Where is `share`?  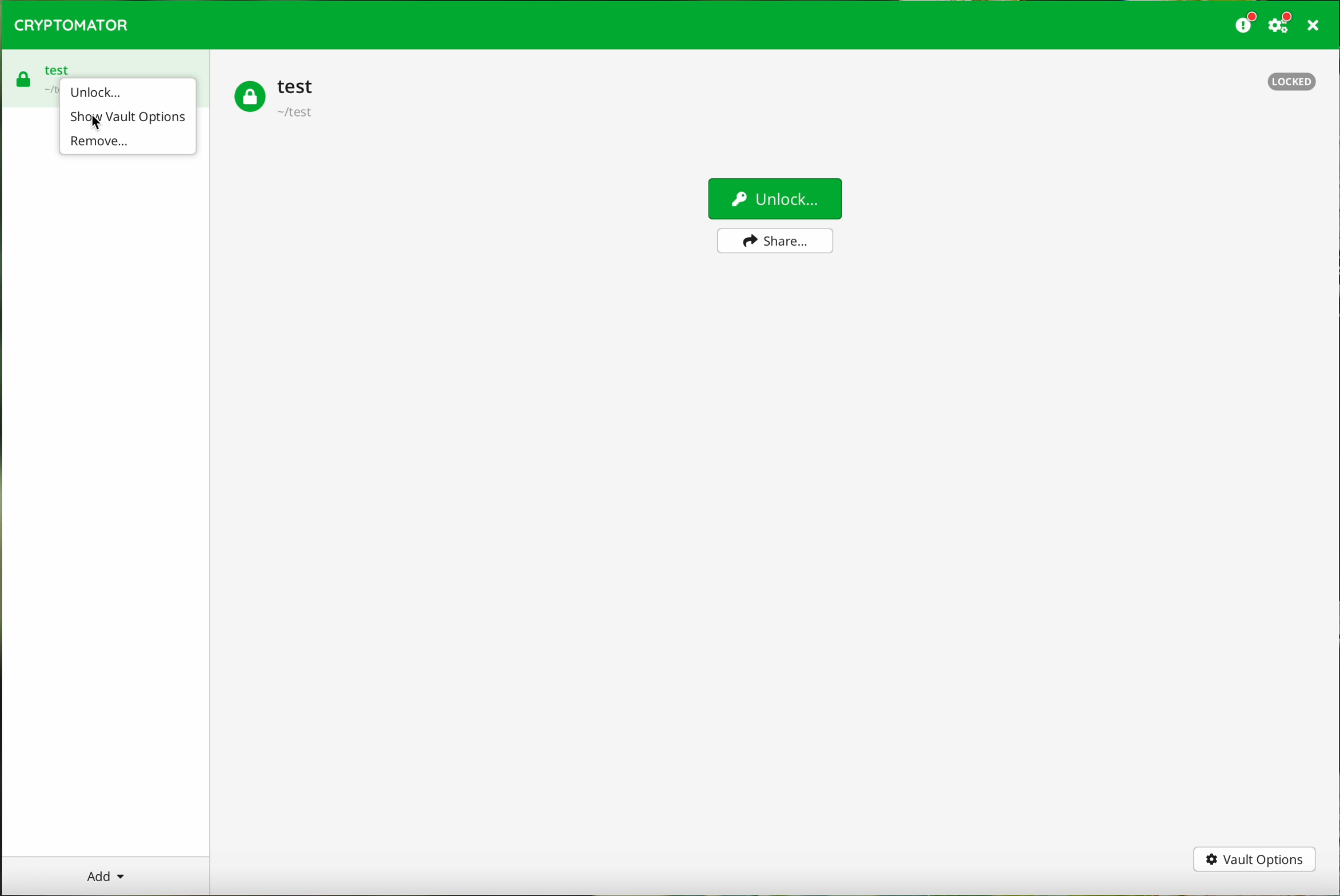
share is located at coordinates (775, 240).